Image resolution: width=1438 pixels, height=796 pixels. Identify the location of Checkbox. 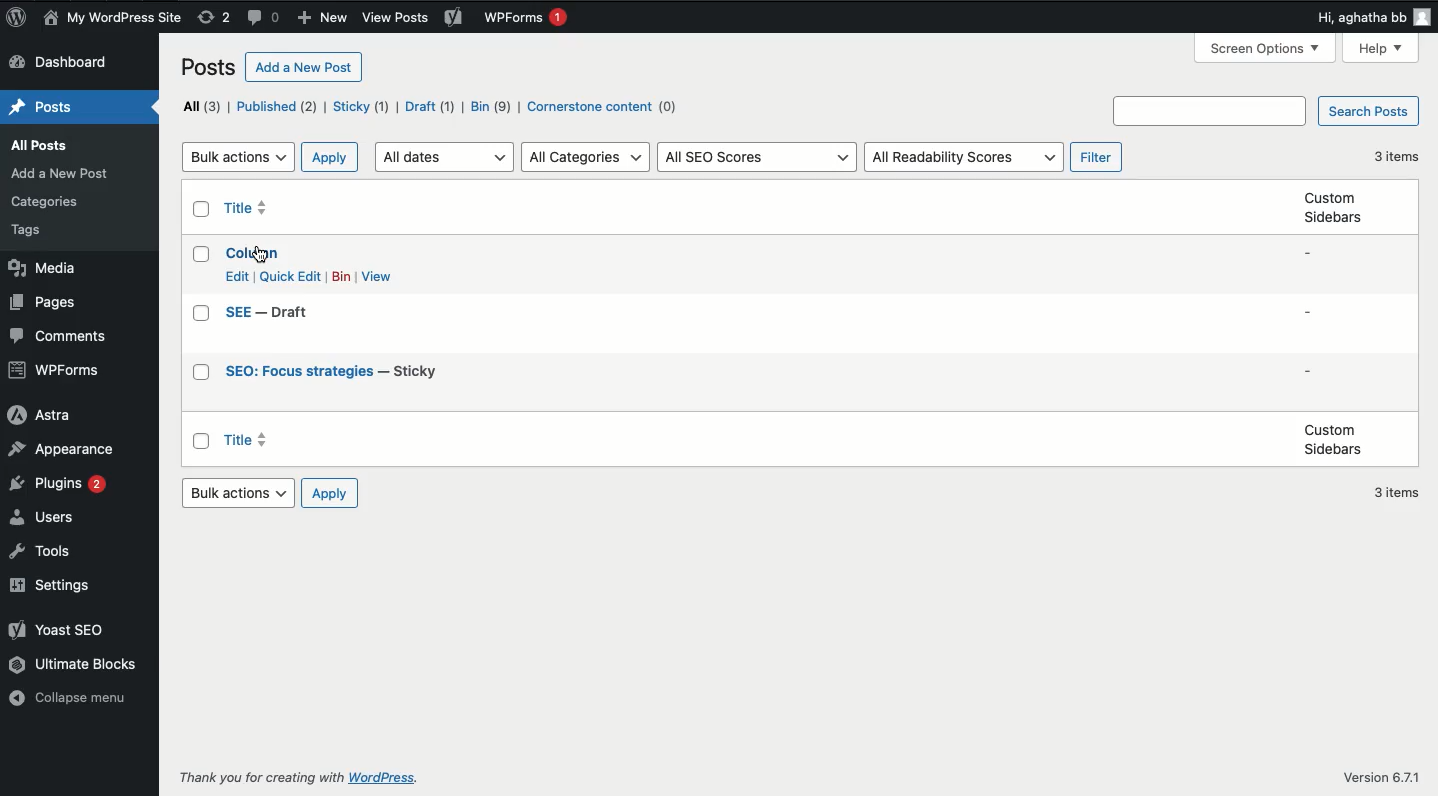
(203, 209).